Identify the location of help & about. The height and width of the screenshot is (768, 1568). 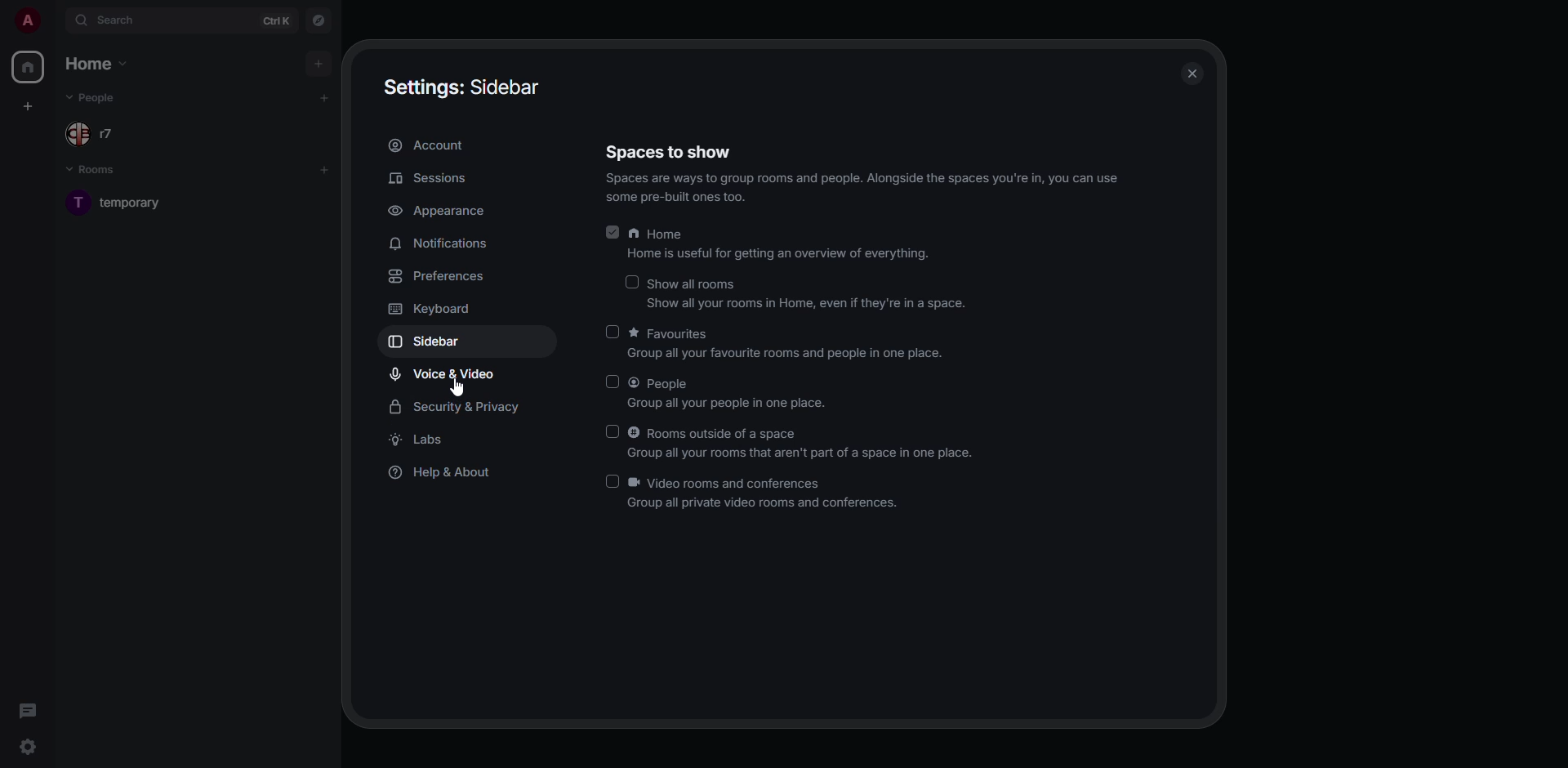
(447, 475).